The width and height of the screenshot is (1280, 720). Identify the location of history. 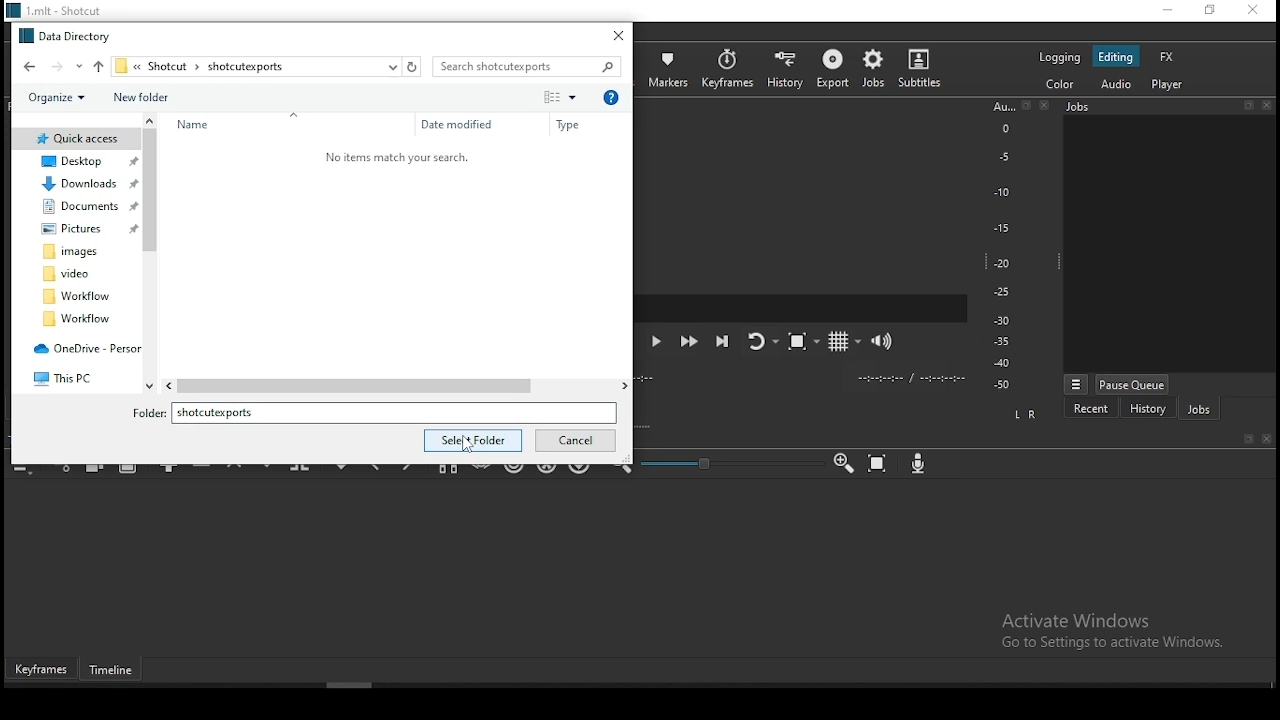
(786, 67).